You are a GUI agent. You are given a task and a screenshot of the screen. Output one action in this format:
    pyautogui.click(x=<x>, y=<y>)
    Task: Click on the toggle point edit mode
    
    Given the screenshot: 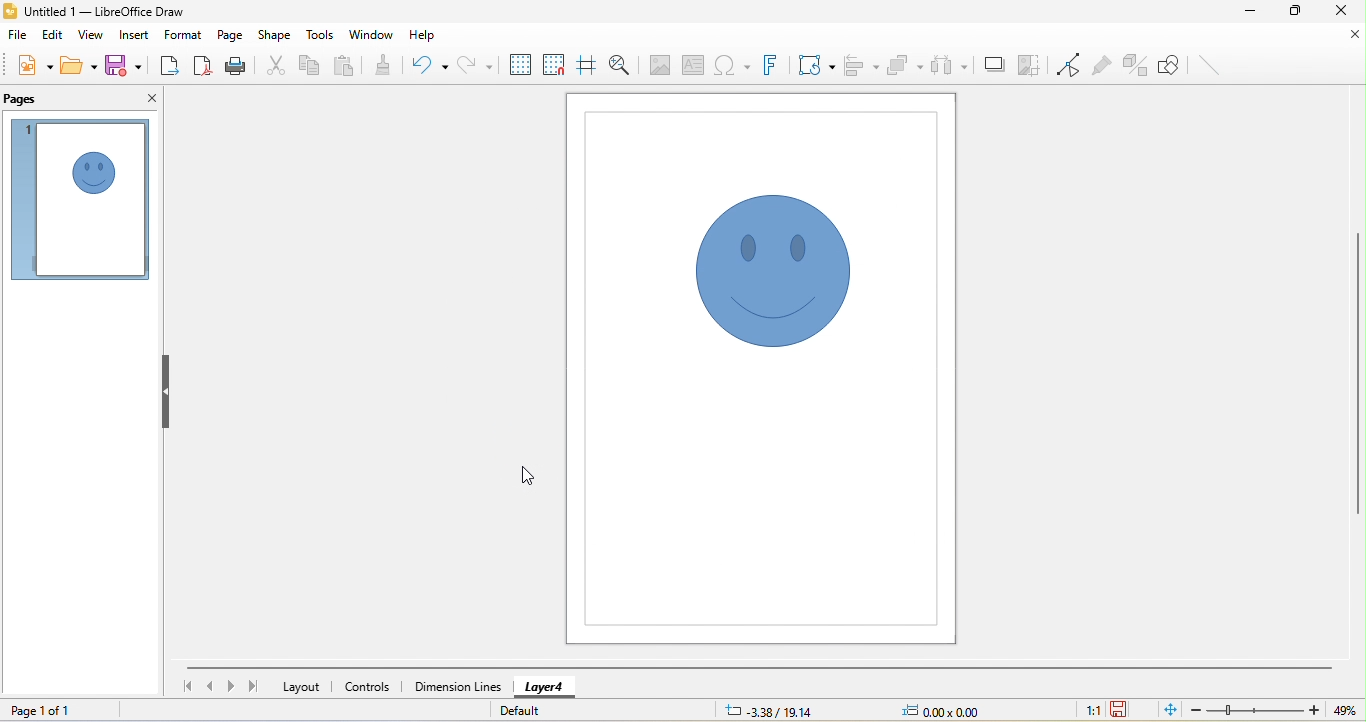 What is the action you would take?
    pyautogui.click(x=1068, y=66)
    